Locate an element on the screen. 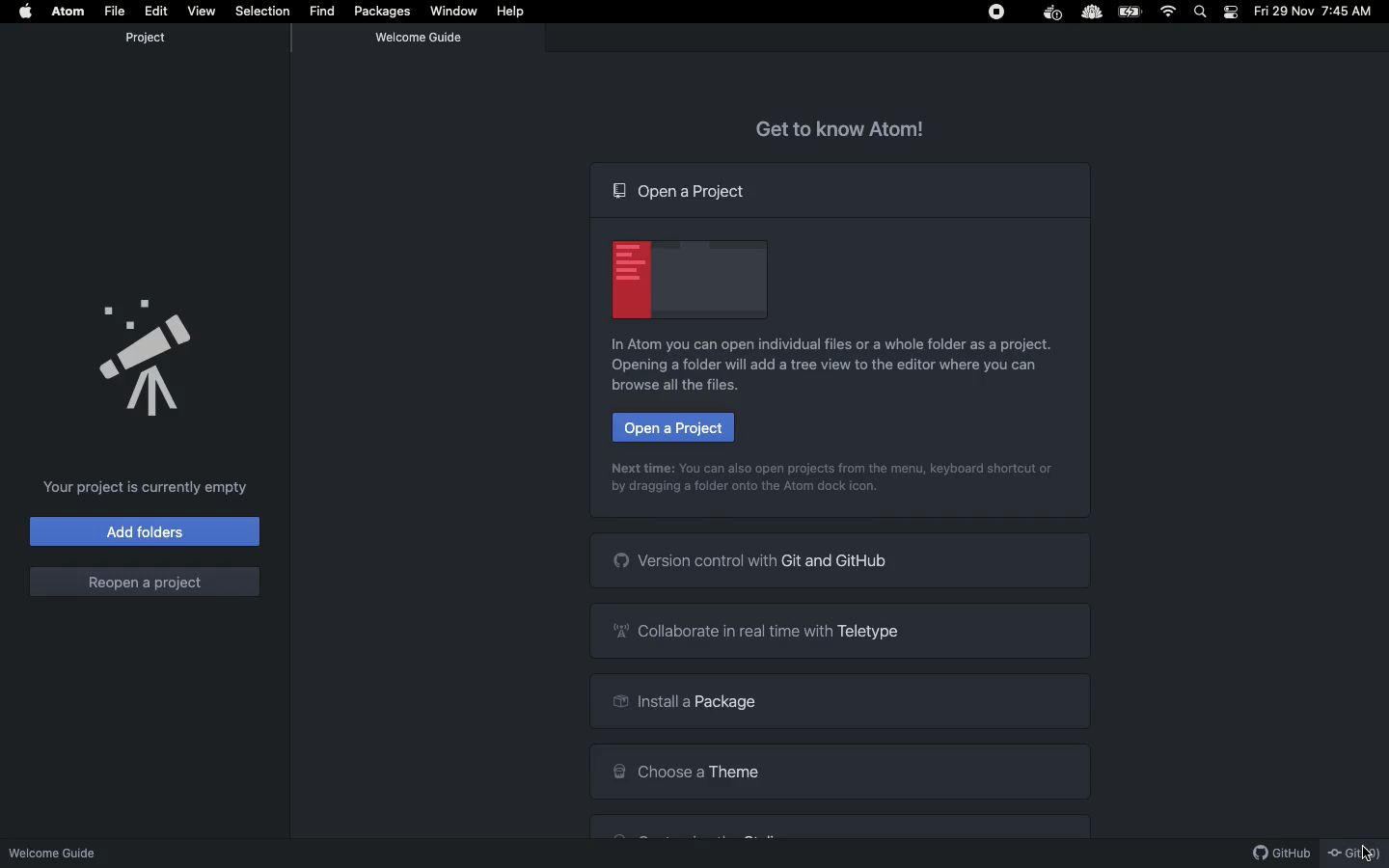 The width and height of the screenshot is (1389, 868). Apple logo is located at coordinates (28, 11).